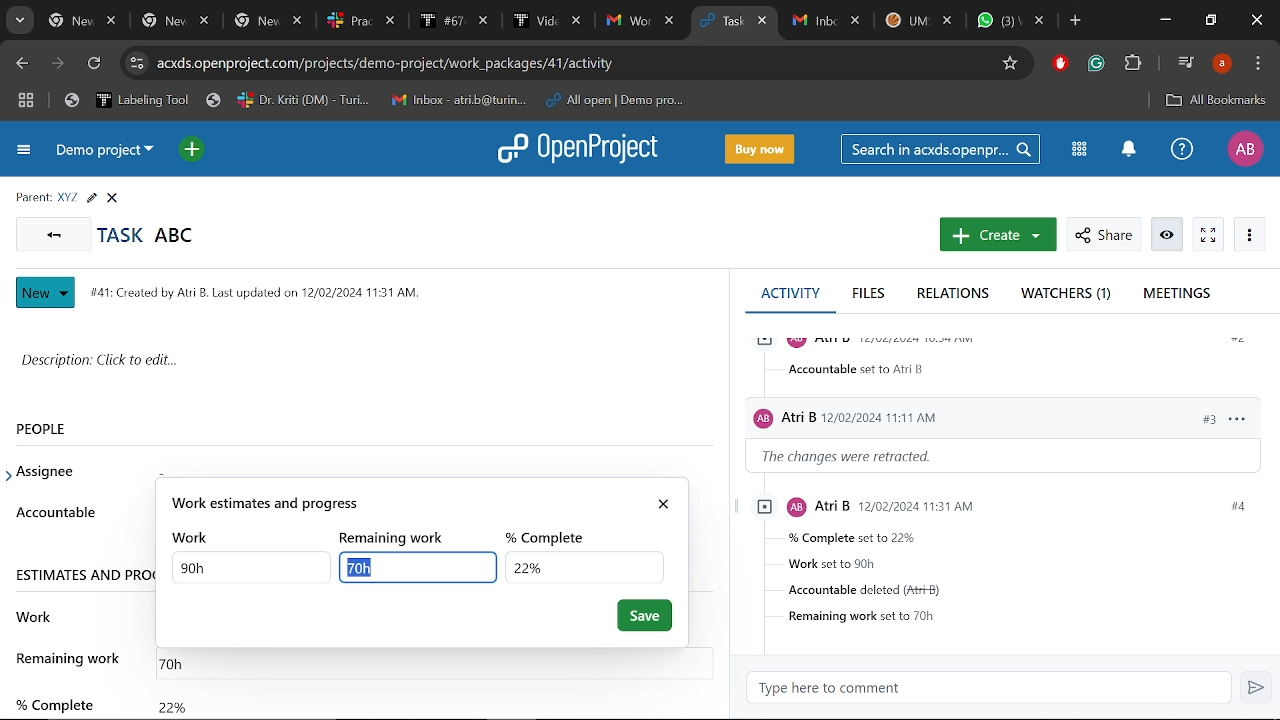 The height and width of the screenshot is (720, 1280). What do you see at coordinates (1250, 235) in the screenshot?
I see `More` at bounding box center [1250, 235].